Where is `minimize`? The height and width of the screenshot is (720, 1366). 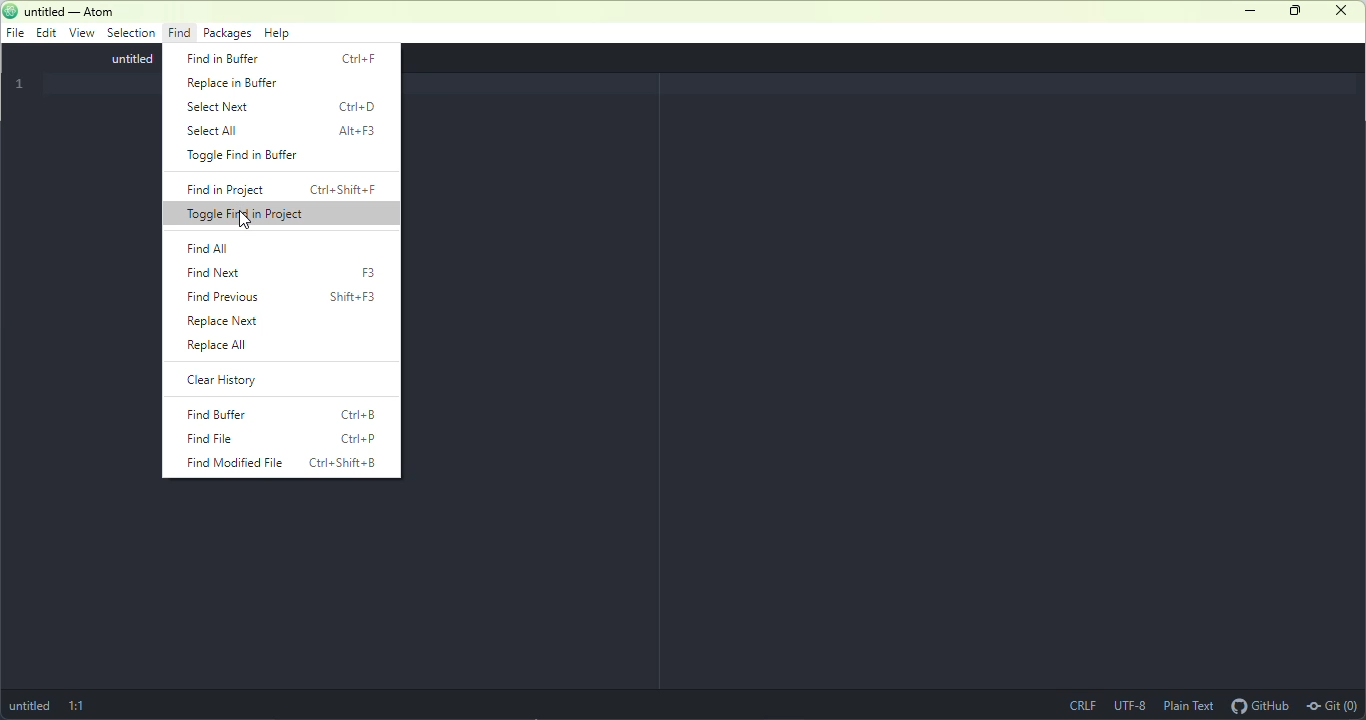 minimize is located at coordinates (1251, 11).